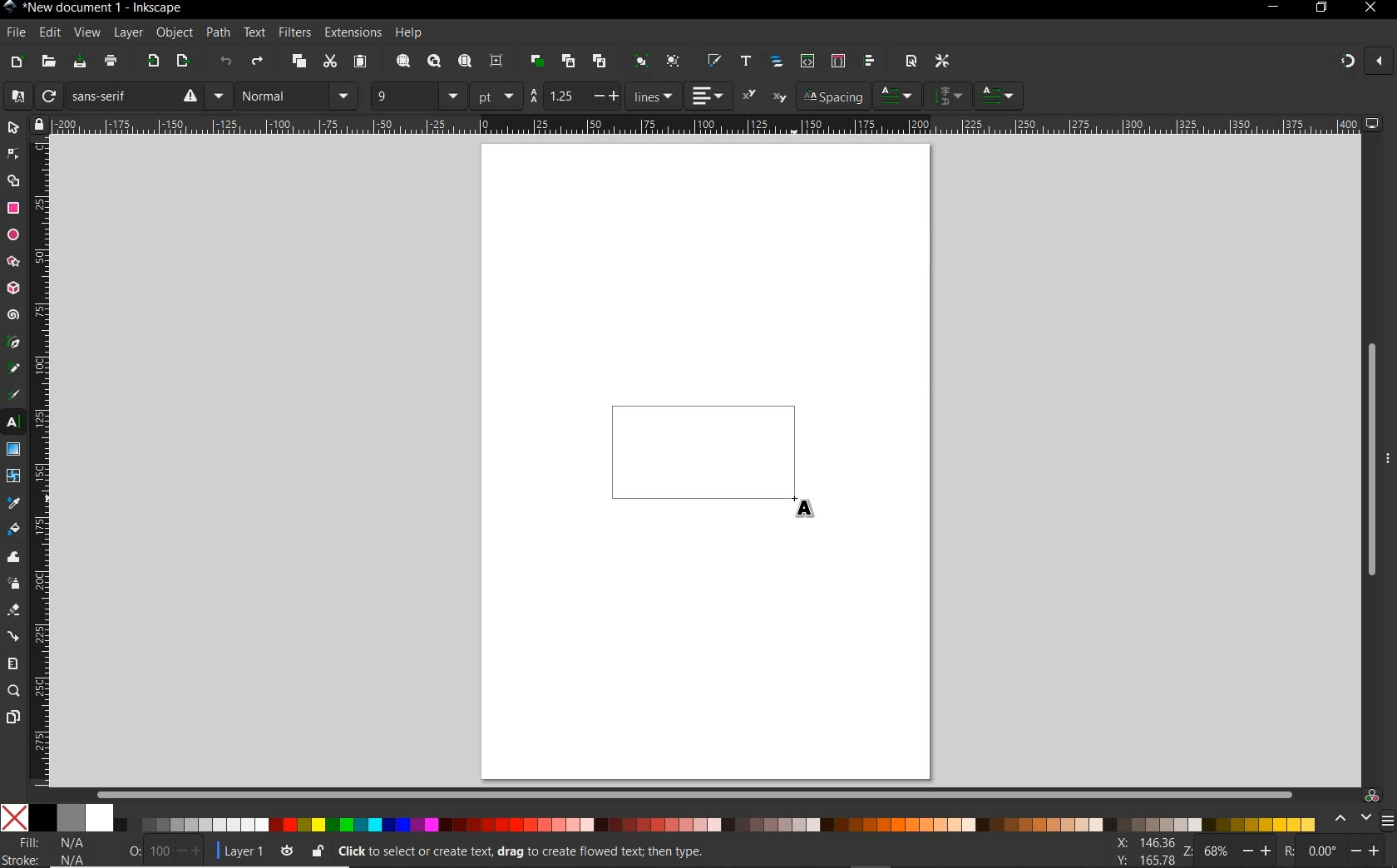 The height and width of the screenshot is (868, 1397). What do you see at coordinates (1259, 850) in the screenshot?
I see `increase/decrease` at bounding box center [1259, 850].